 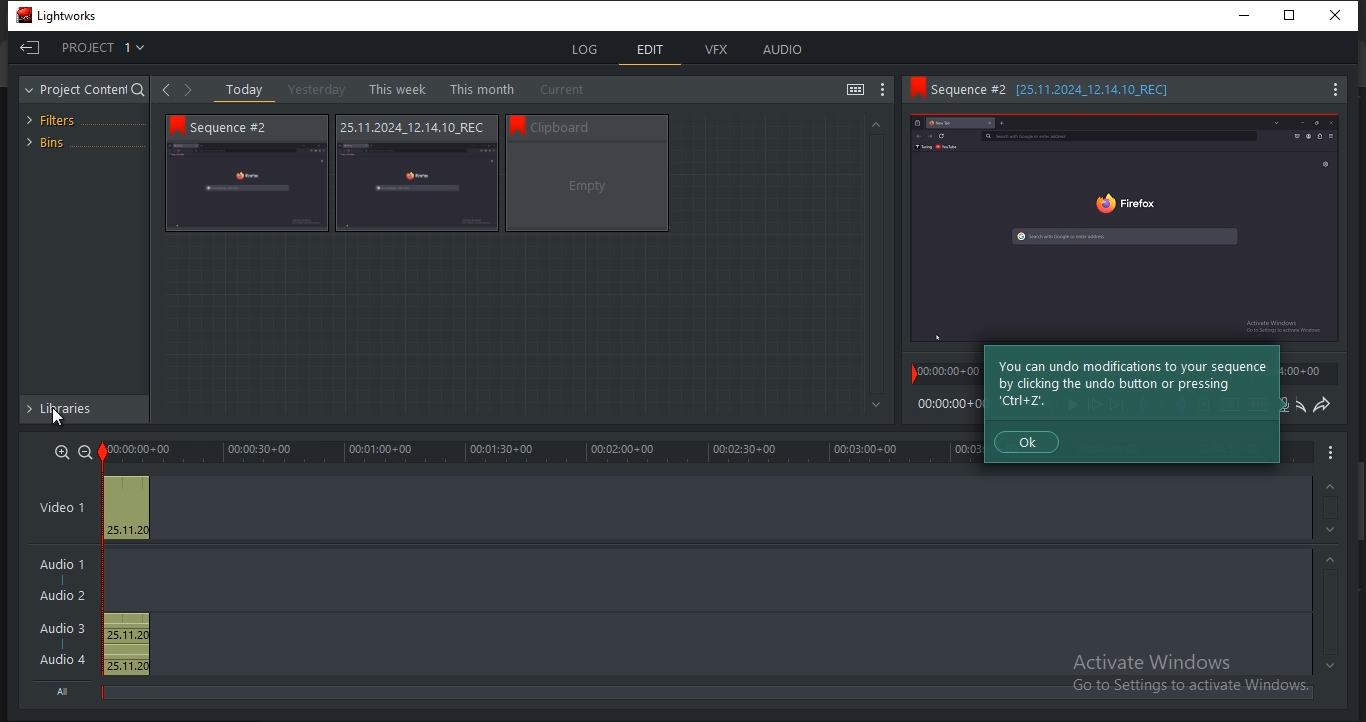 I want to click on video thumbnail, so click(x=249, y=186).